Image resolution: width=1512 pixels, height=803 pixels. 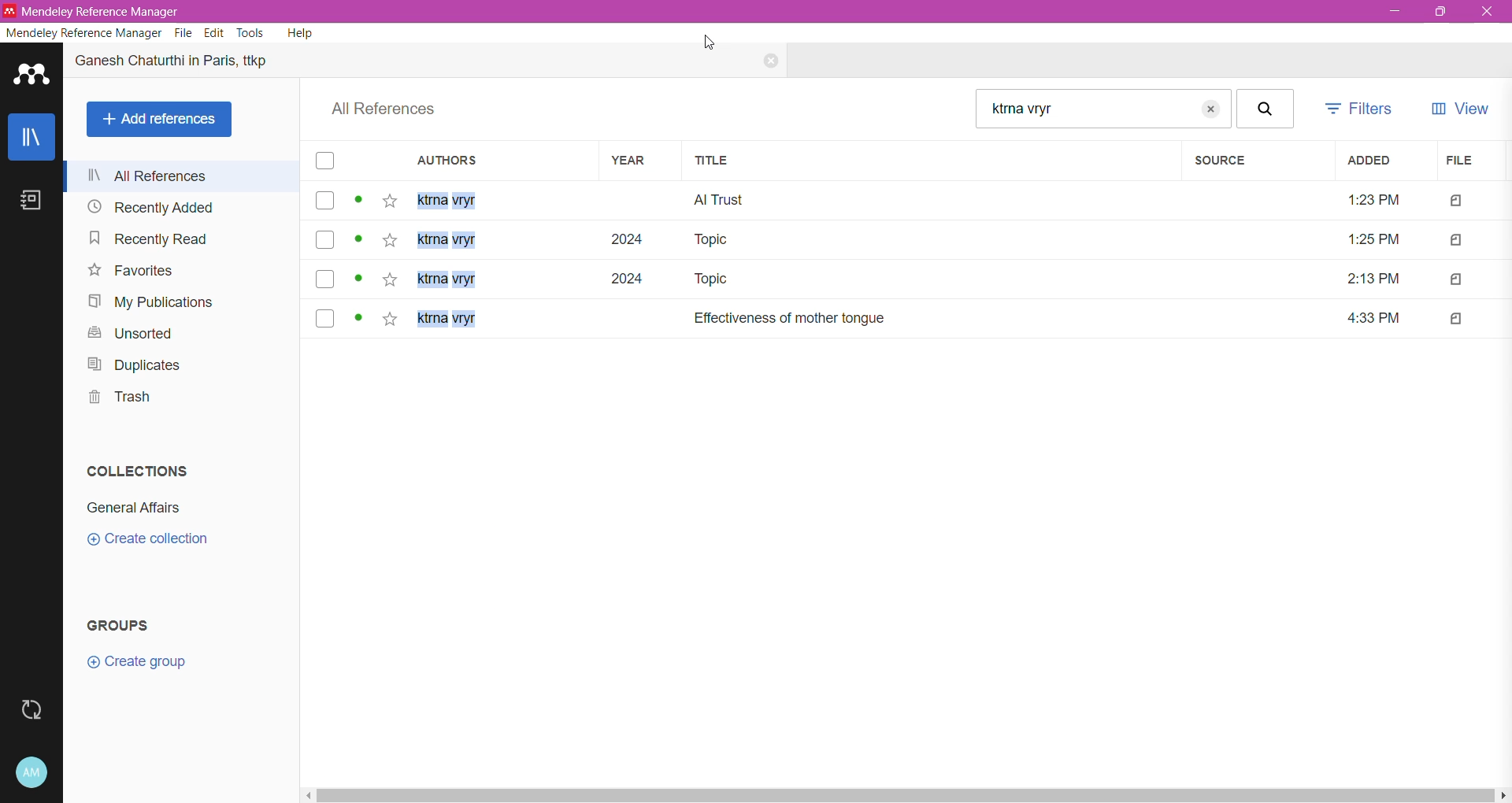 I want to click on Add References, so click(x=159, y=120).